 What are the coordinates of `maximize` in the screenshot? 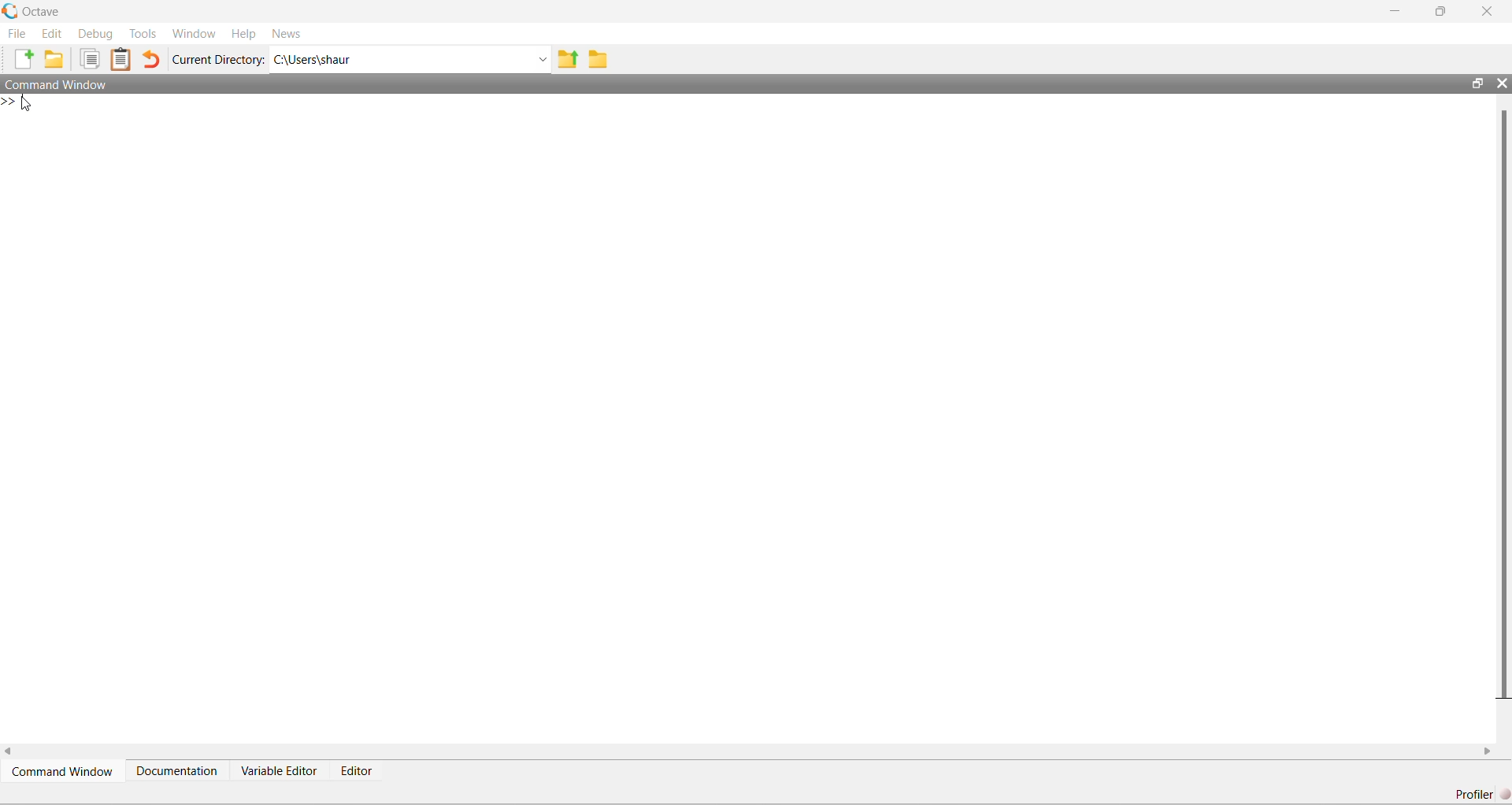 It's located at (1477, 83).